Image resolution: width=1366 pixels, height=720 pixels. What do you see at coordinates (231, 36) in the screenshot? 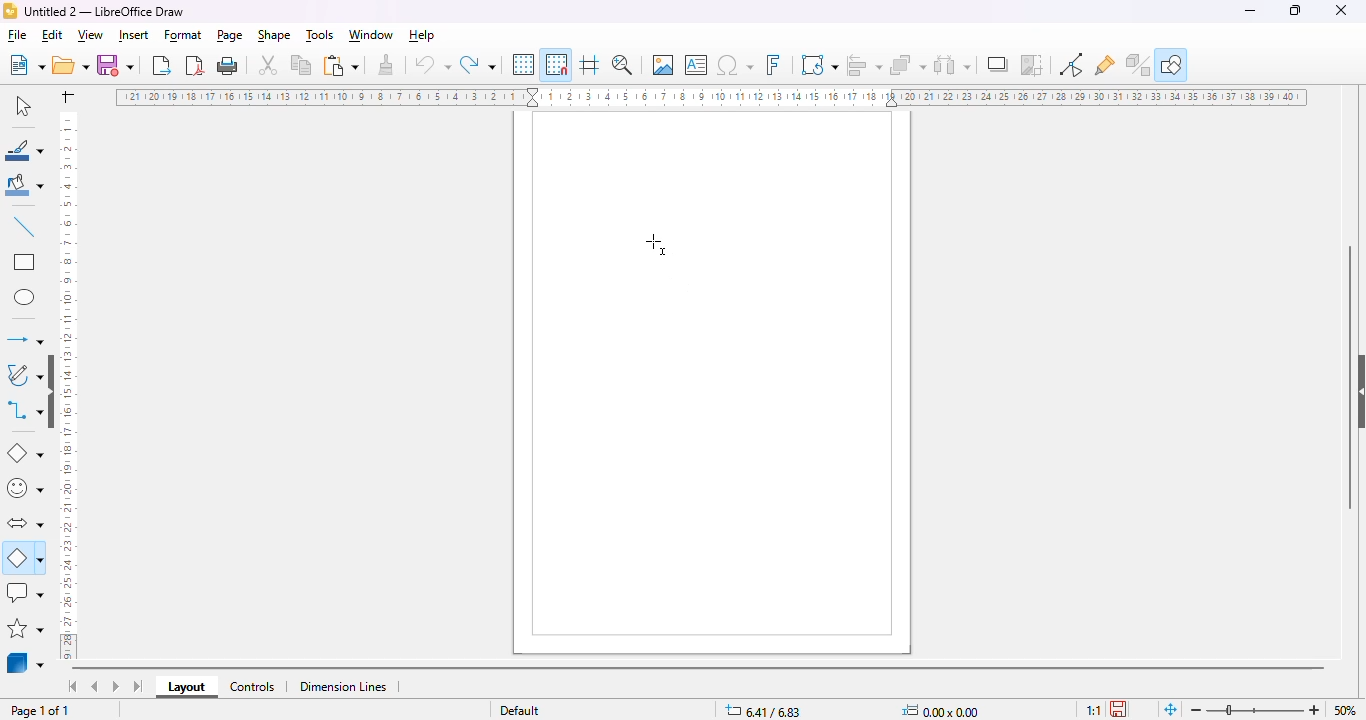
I see `page` at bounding box center [231, 36].